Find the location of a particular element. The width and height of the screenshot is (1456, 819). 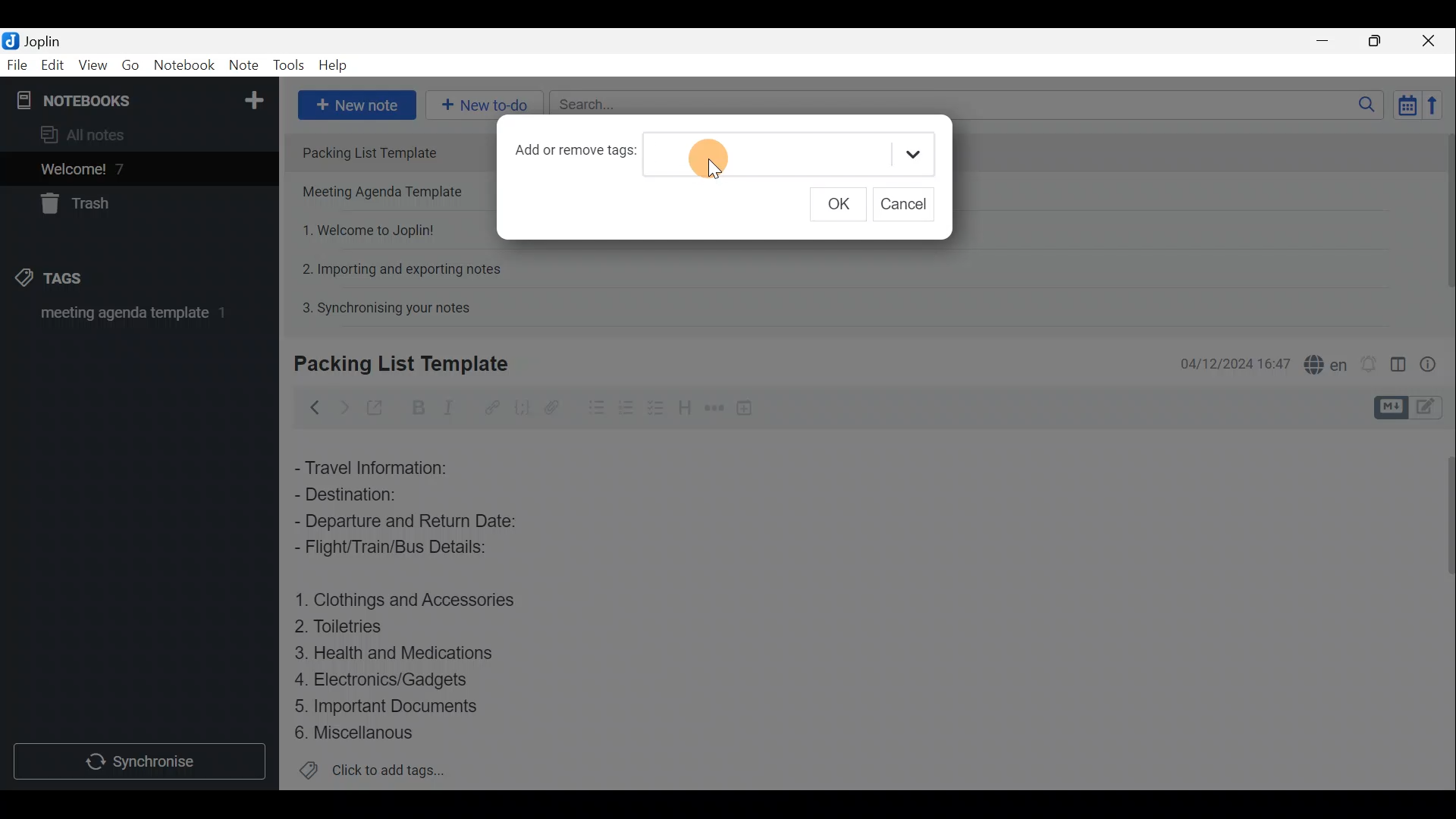

OK is located at coordinates (836, 204).